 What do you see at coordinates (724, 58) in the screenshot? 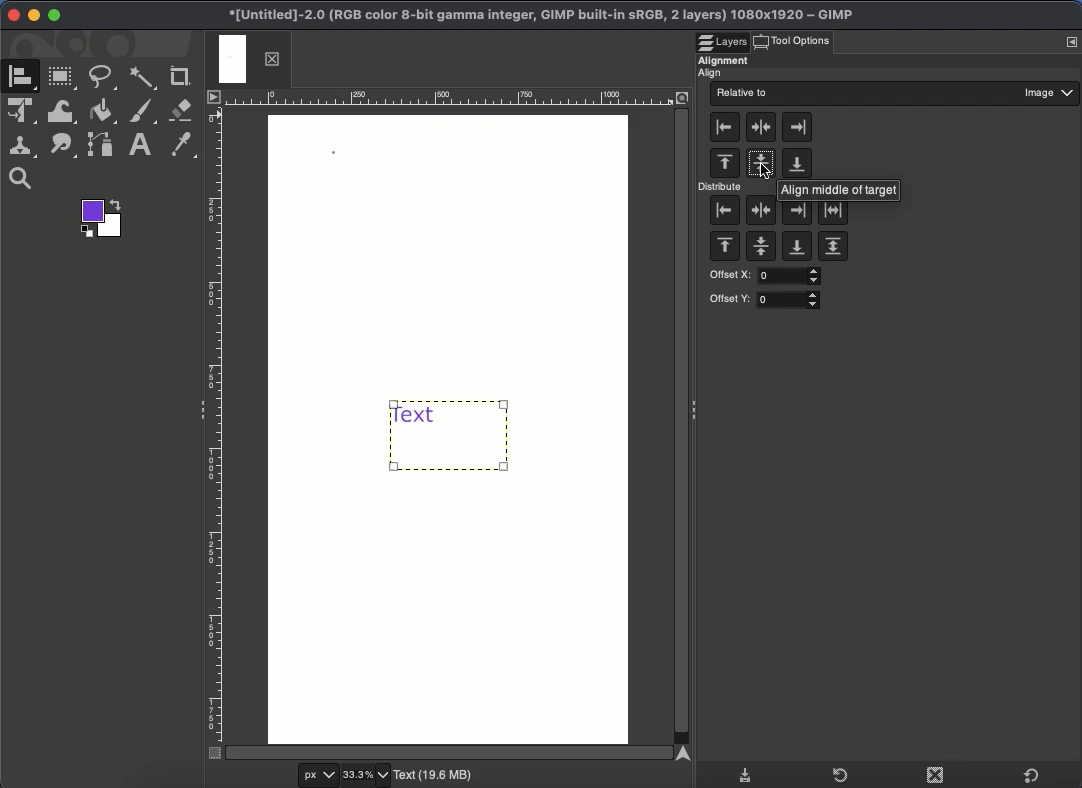
I see `Alignment` at bounding box center [724, 58].